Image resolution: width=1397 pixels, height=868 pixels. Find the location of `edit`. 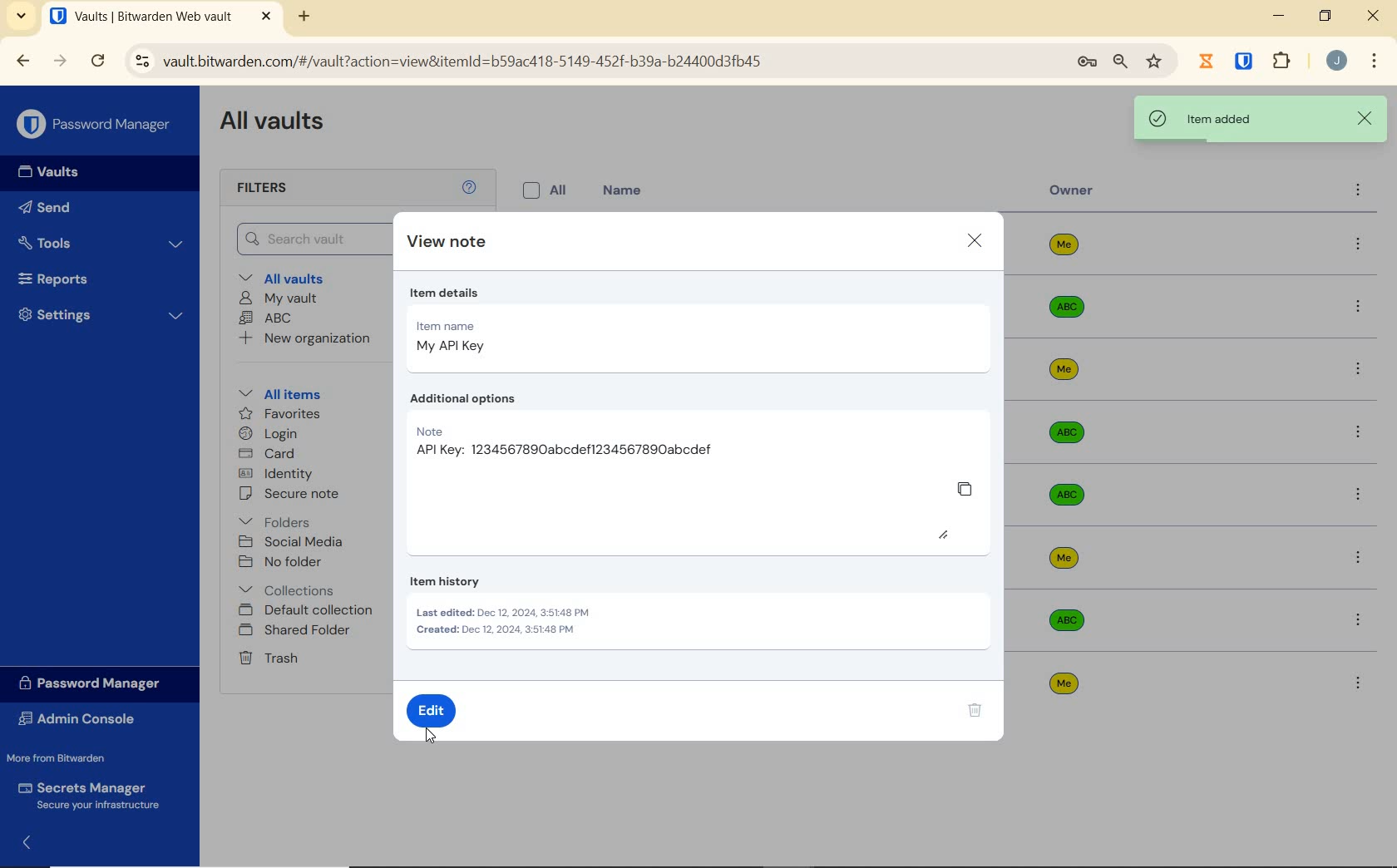

edit is located at coordinates (437, 713).